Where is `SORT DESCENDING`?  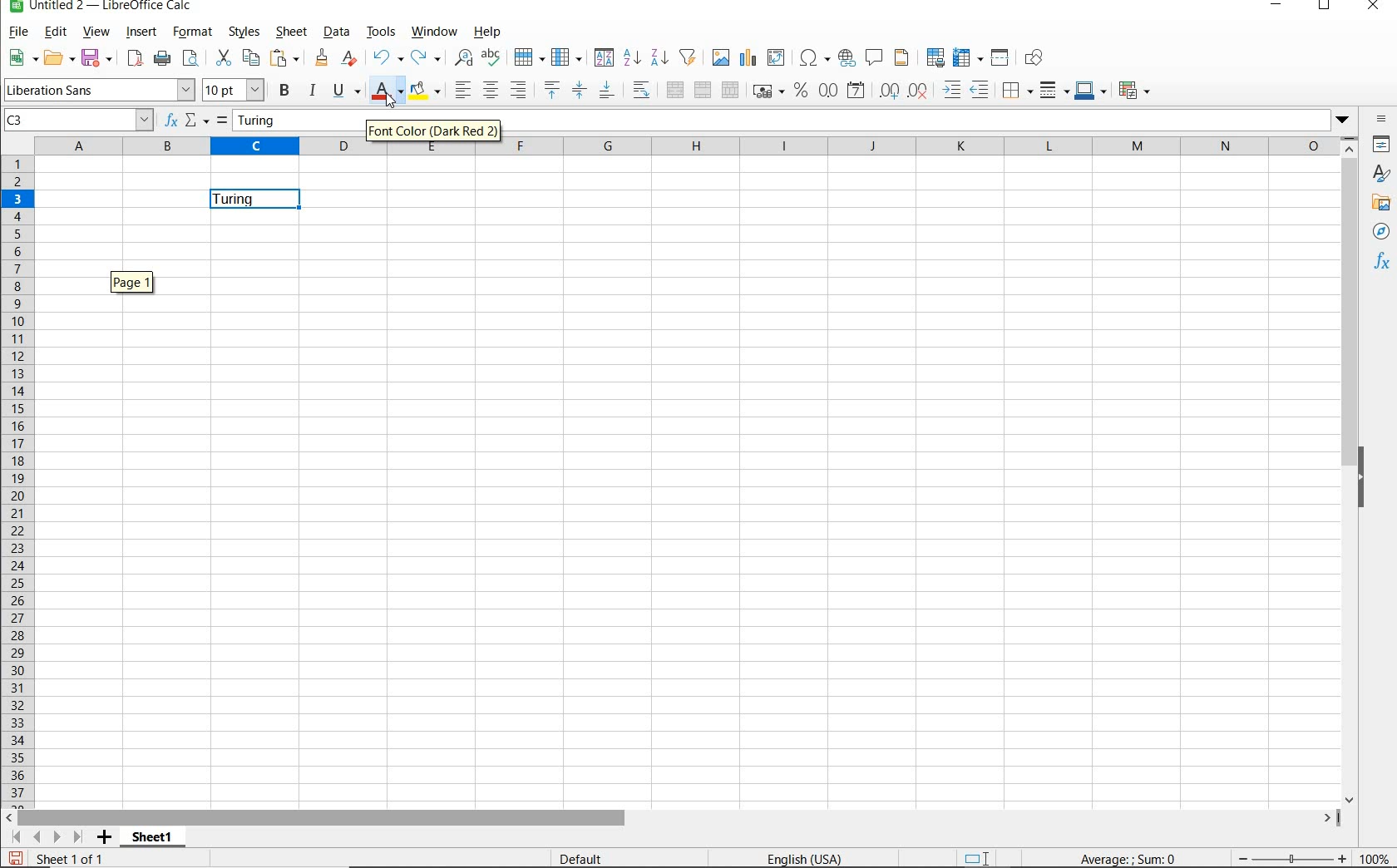
SORT DESCENDING is located at coordinates (659, 61).